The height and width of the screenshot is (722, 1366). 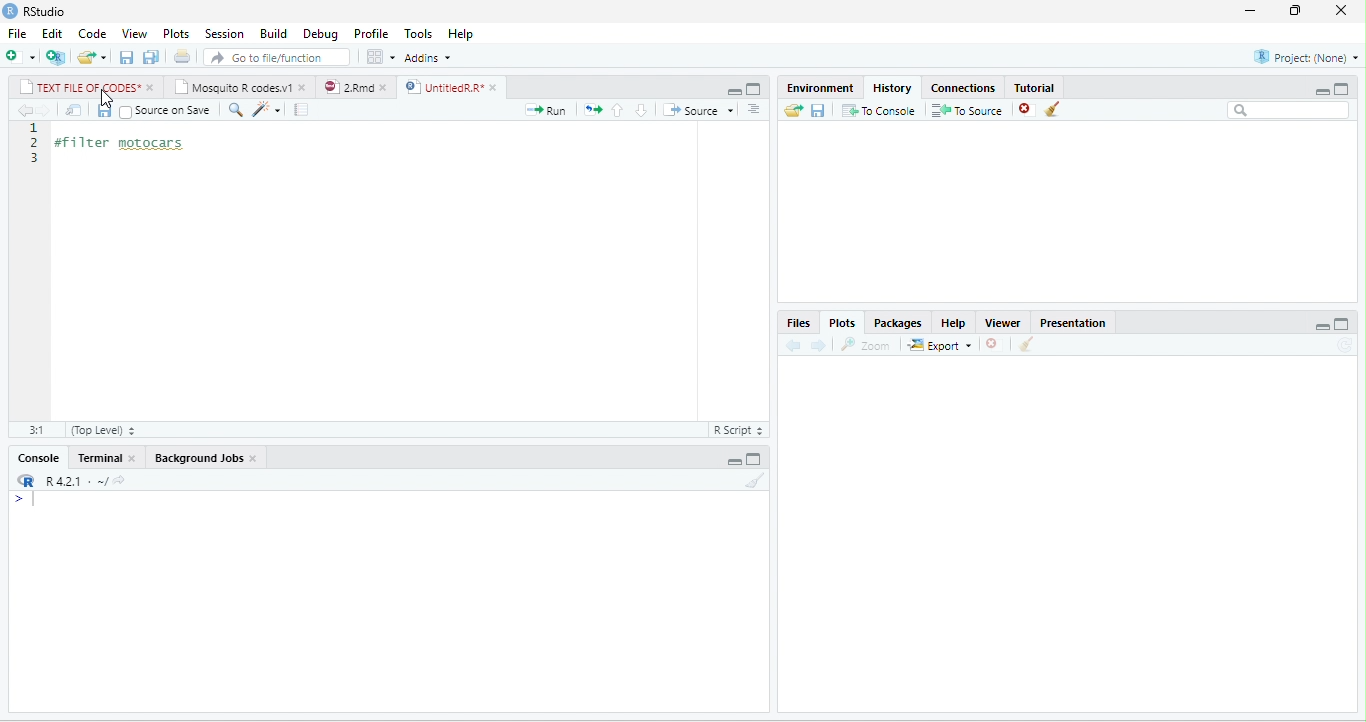 I want to click on logo, so click(x=10, y=11).